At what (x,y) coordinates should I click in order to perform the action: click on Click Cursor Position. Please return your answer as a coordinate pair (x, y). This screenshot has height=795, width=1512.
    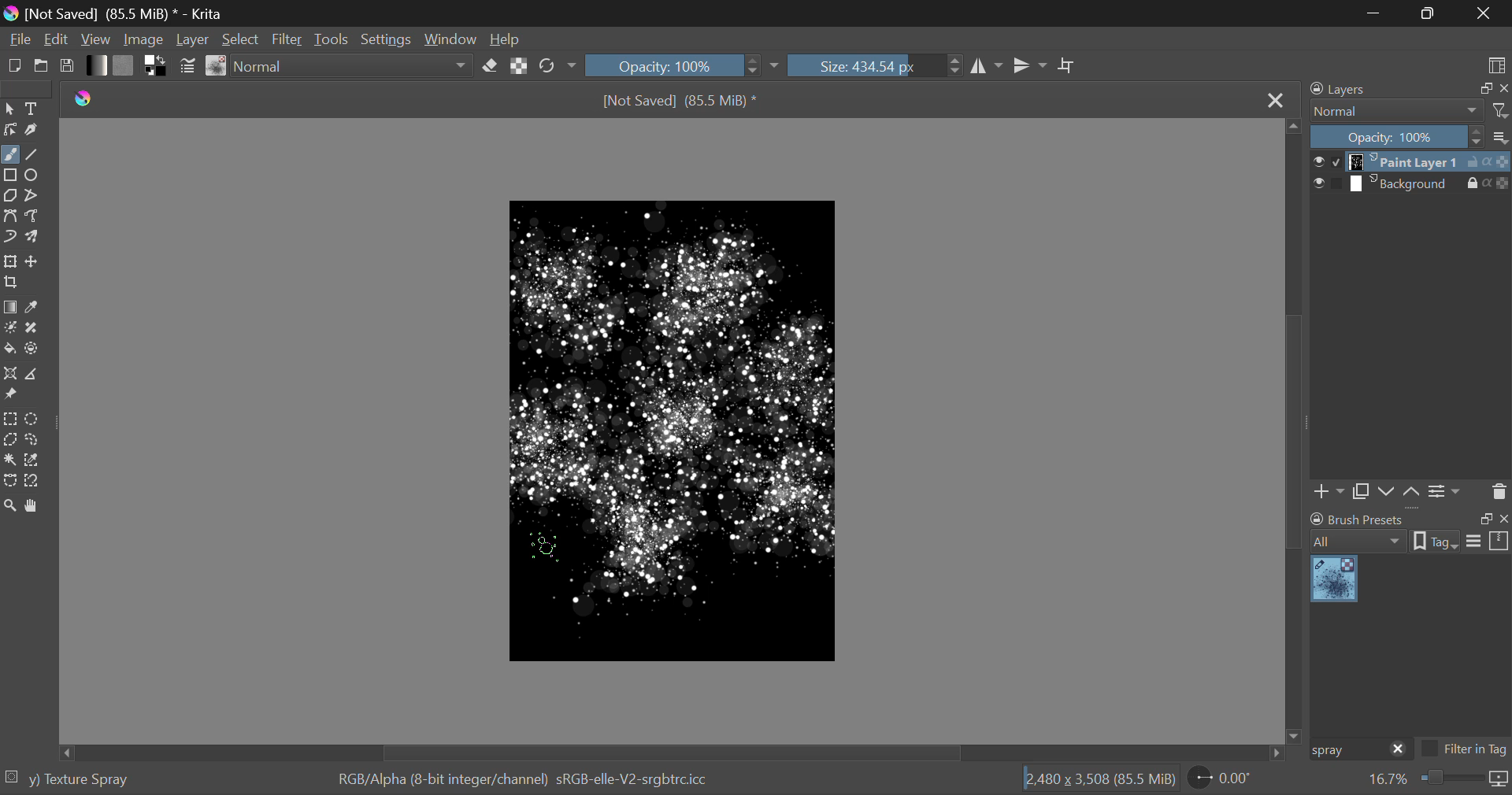
    Looking at the image, I should click on (545, 545).